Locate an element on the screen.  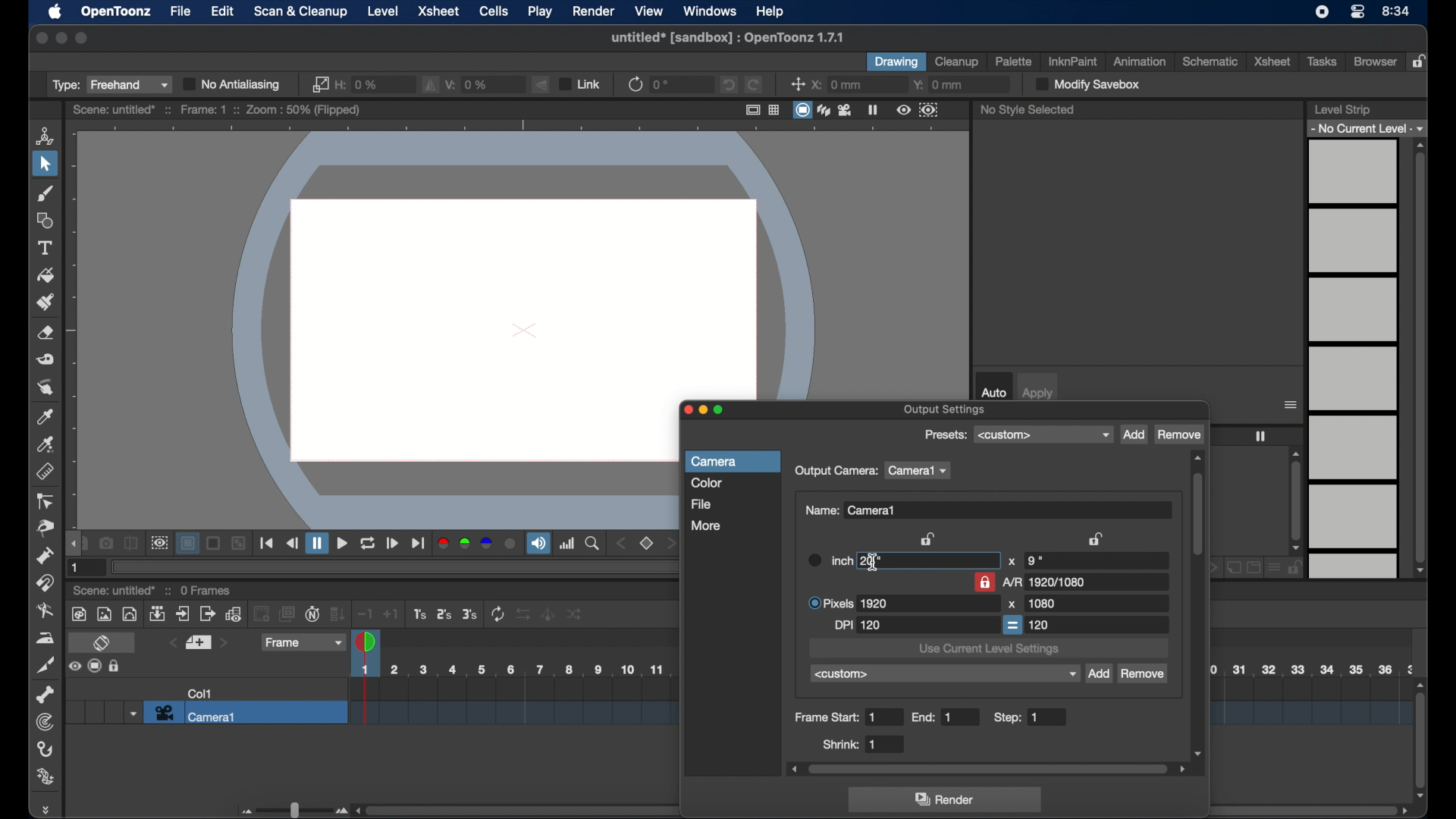
selection tool is located at coordinates (45, 165).